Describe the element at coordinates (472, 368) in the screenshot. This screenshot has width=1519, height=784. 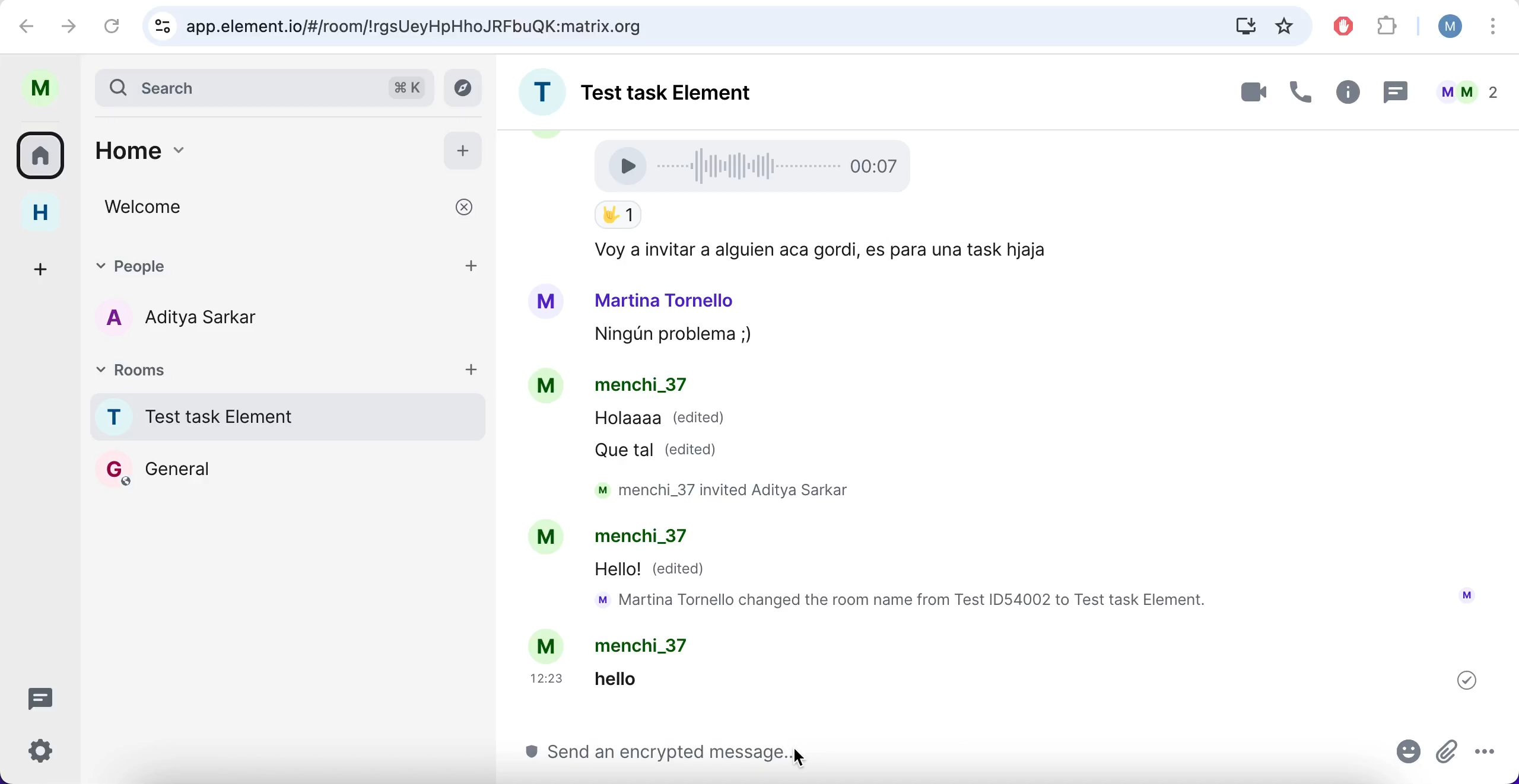
I see `add` at that location.